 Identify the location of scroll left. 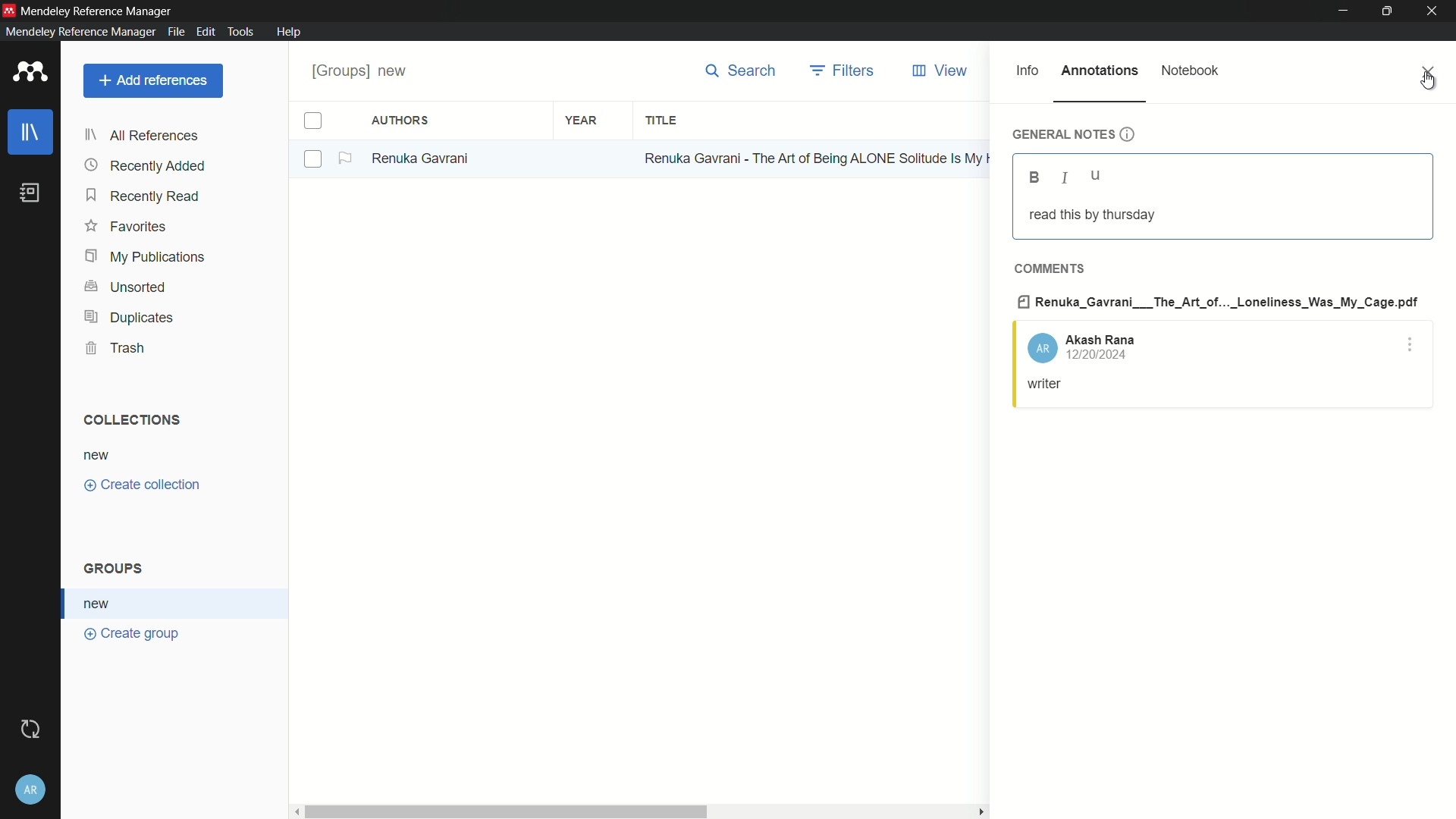
(293, 810).